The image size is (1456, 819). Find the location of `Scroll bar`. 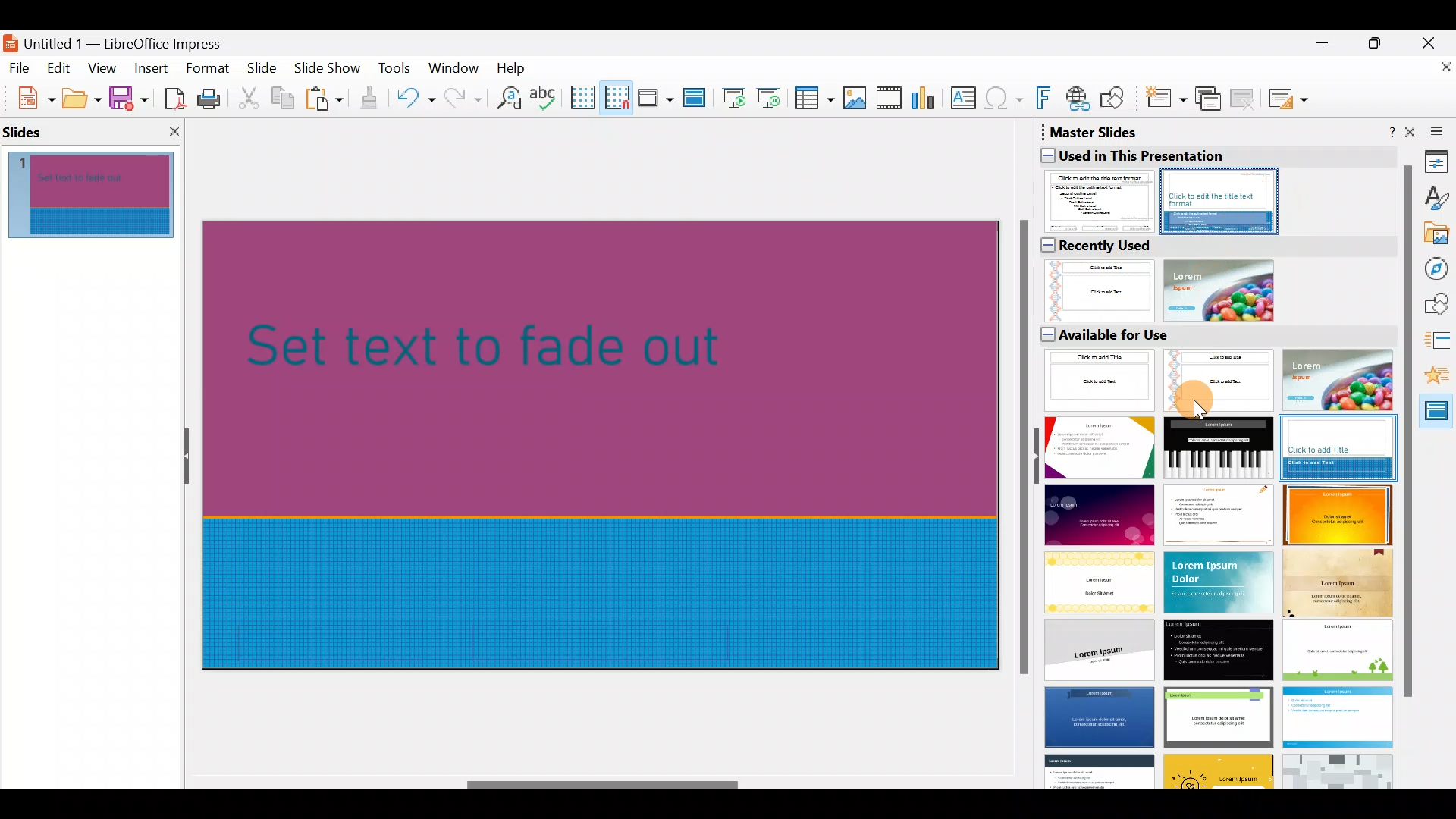

Scroll bar is located at coordinates (1021, 449).